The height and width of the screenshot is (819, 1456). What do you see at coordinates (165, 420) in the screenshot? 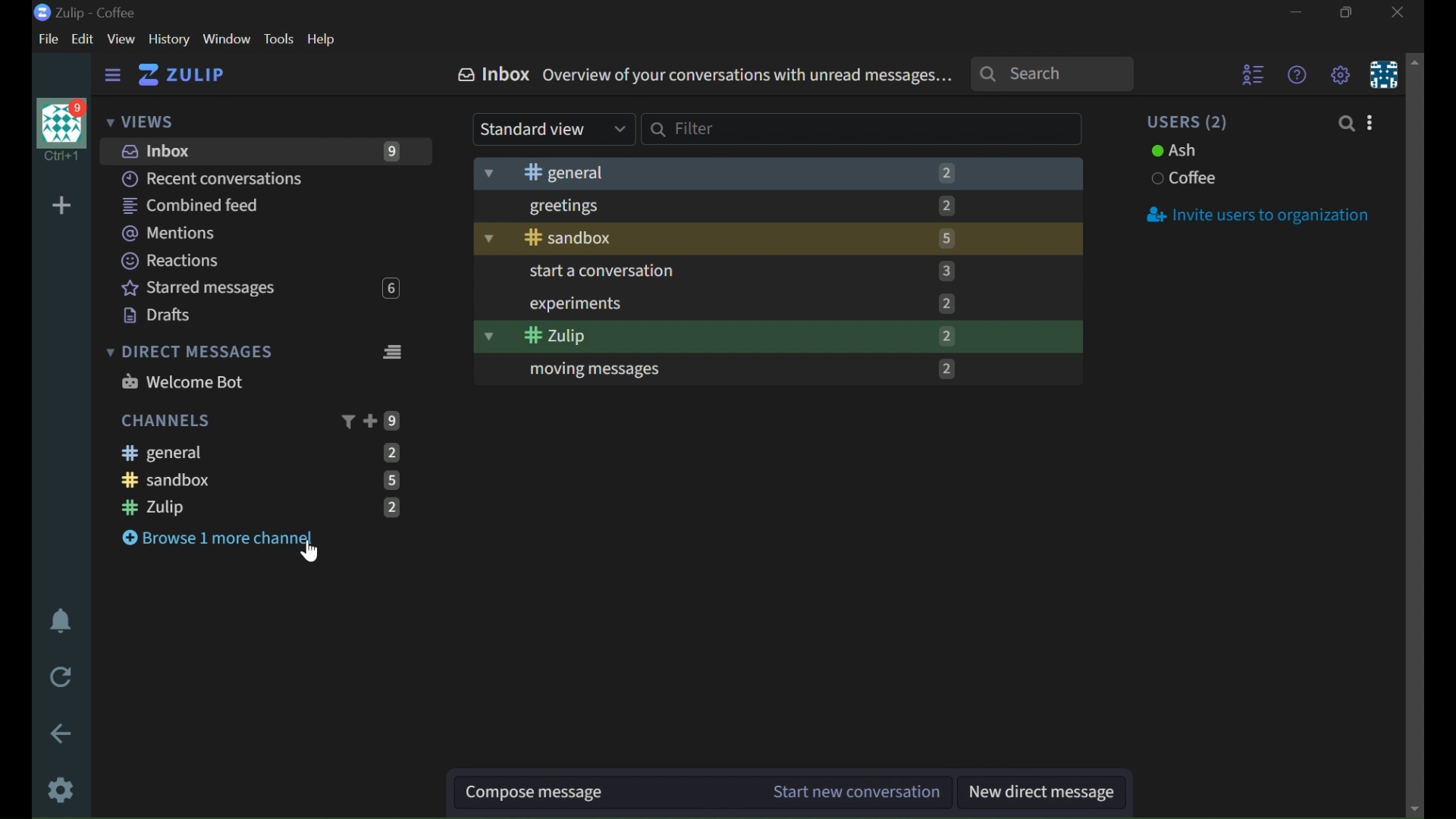
I see `CHANNELS` at bounding box center [165, 420].